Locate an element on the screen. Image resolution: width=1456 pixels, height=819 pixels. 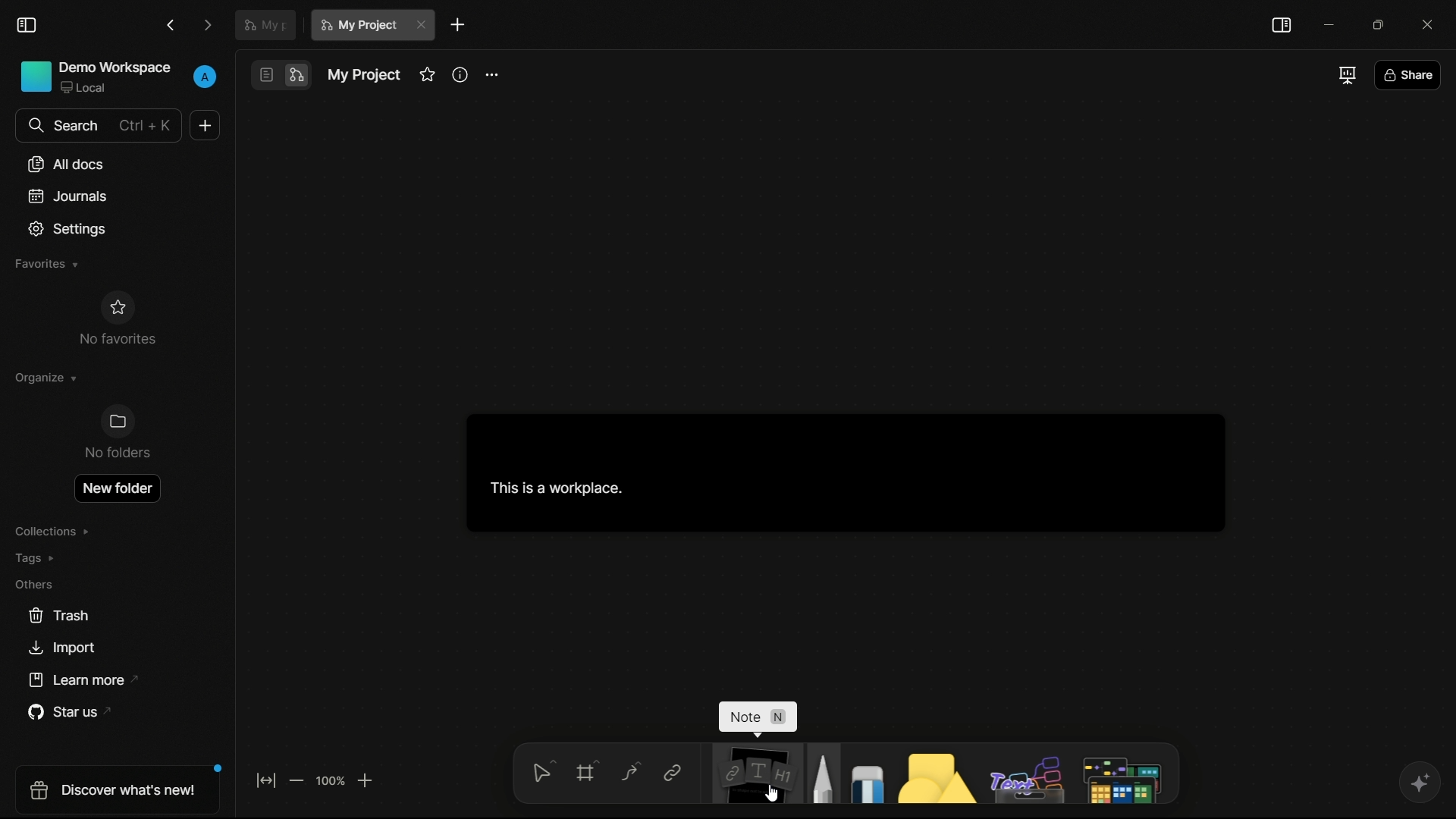
select is located at coordinates (539, 776).